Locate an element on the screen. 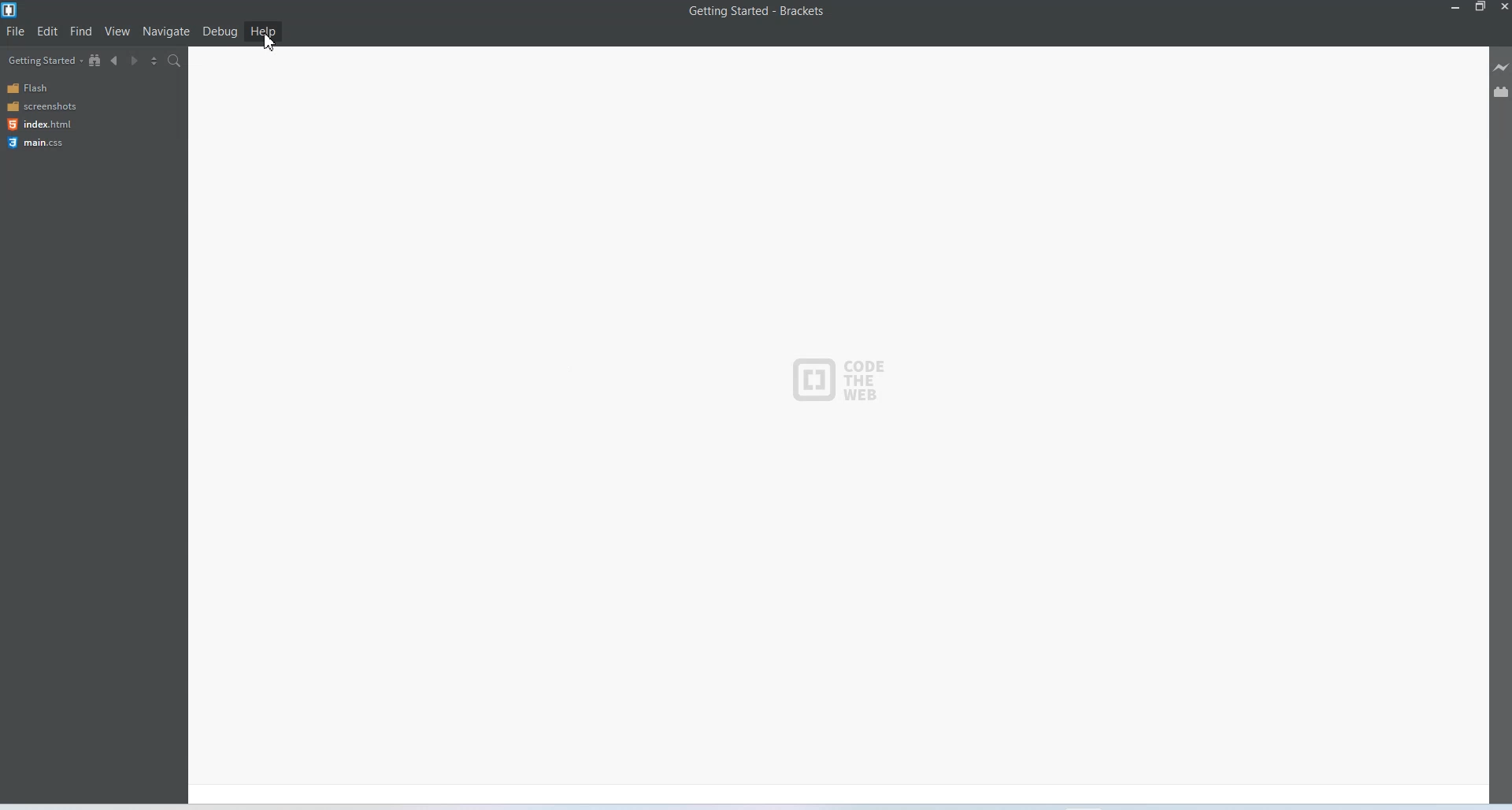  Edit is located at coordinates (47, 32).